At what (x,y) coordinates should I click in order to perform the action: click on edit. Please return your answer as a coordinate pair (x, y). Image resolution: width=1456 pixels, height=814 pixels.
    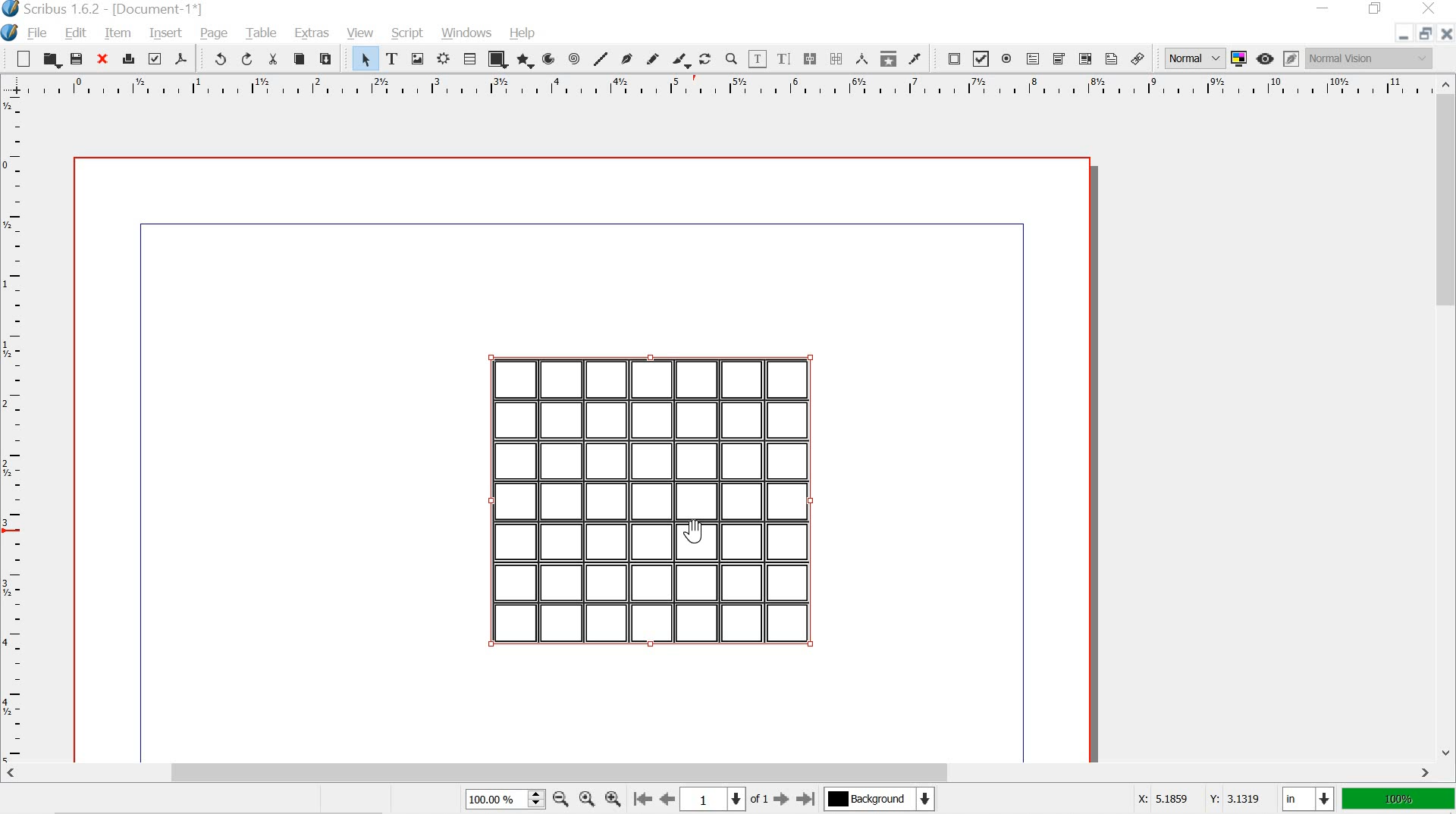
    Looking at the image, I should click on (77, 33).